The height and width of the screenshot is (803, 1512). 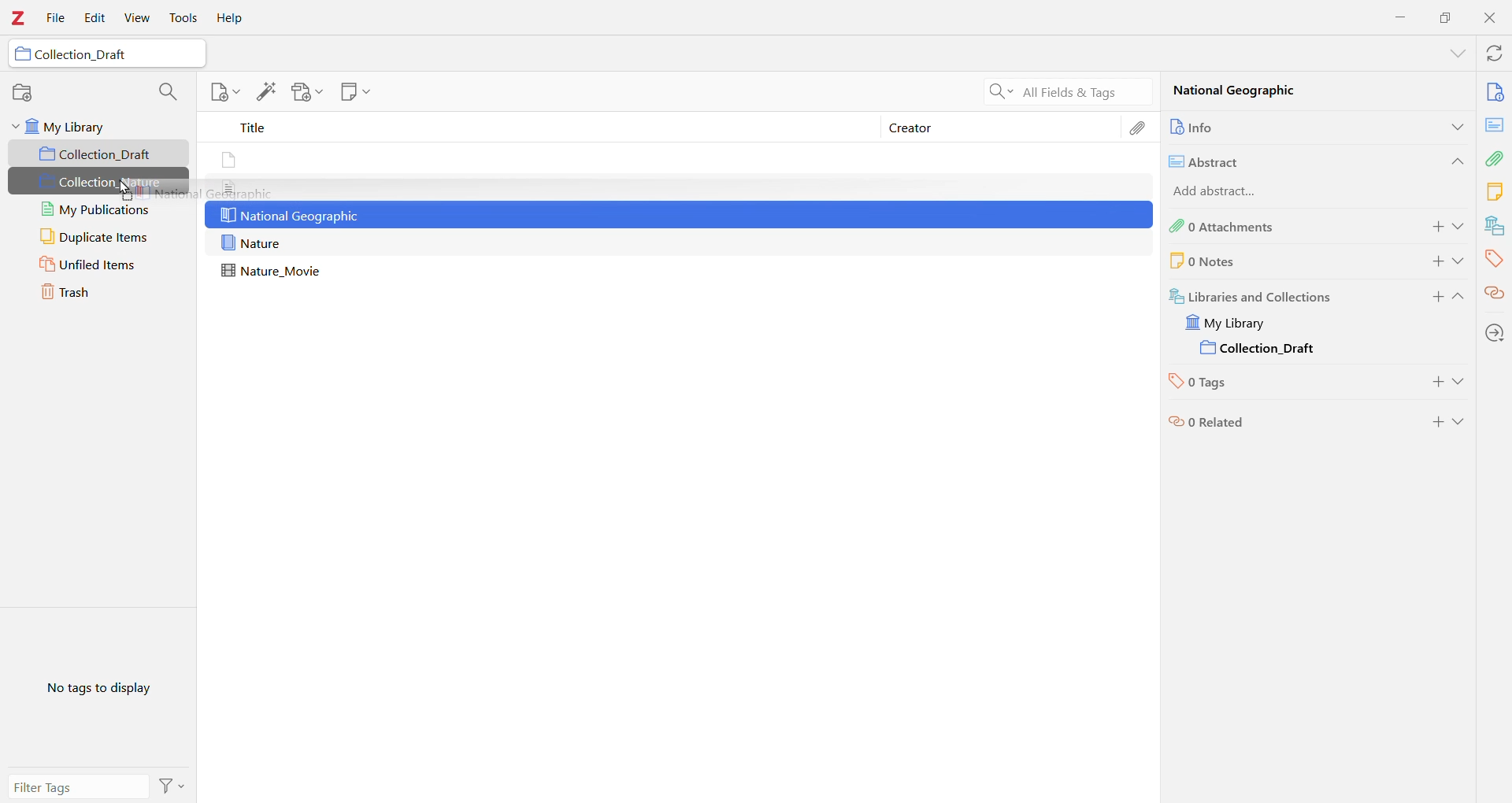 What do you see at coordinates (1436, 422) in the screenshot?
I see `Add` at bounding box center [1436, 422].